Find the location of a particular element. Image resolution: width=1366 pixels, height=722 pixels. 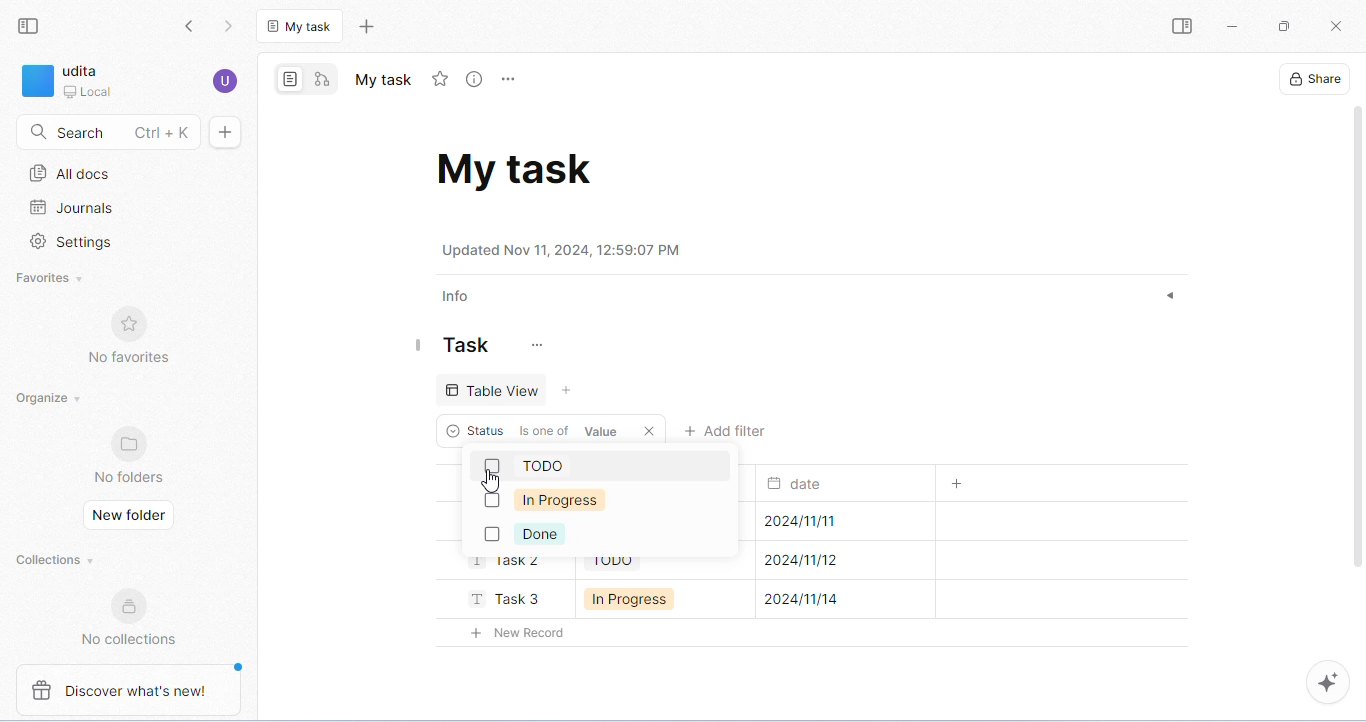

checkbox is located at coordinates (492, 501).